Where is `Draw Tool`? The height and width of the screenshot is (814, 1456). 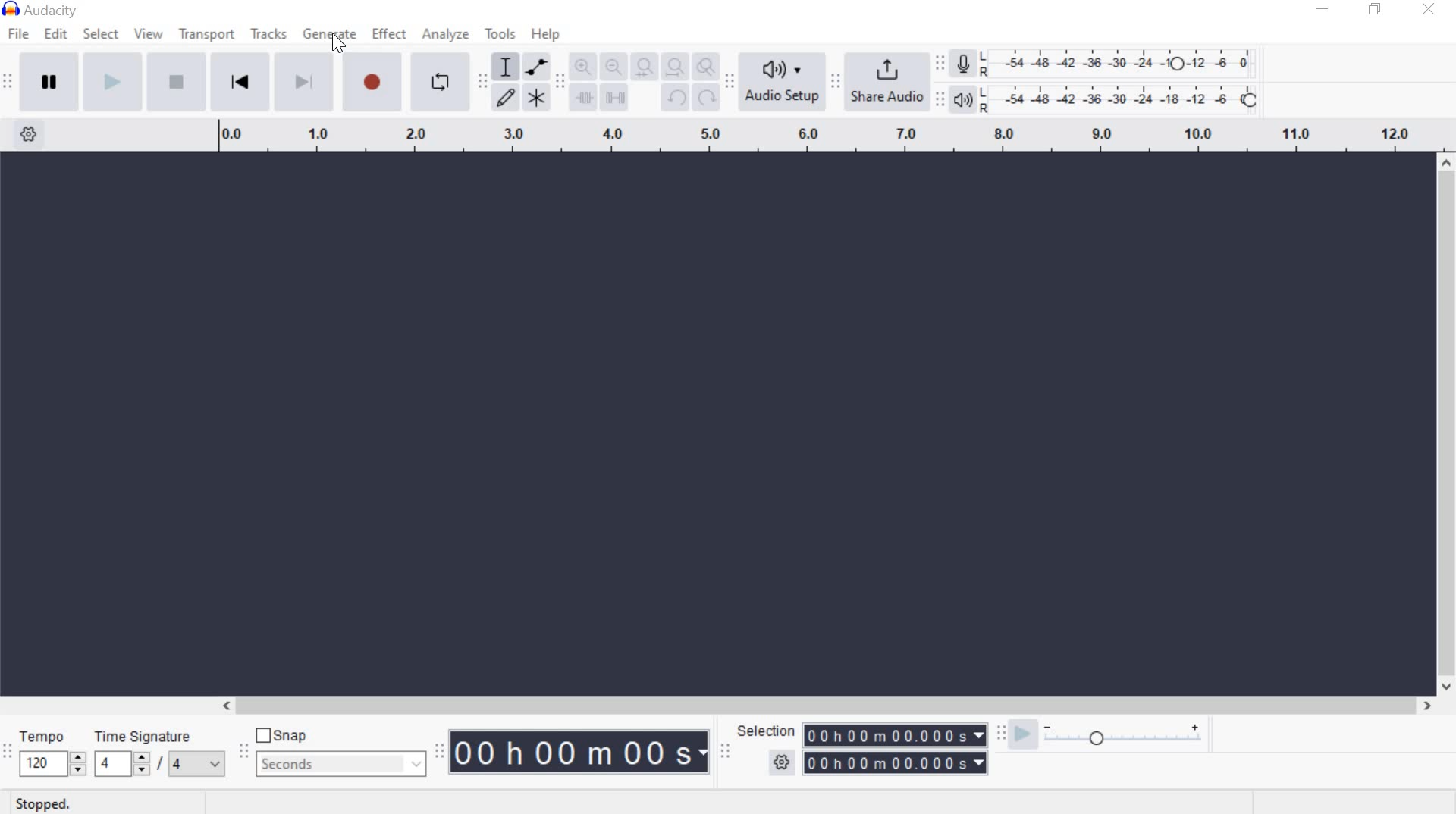
Draw Tool is located at coordinates (504, 99).